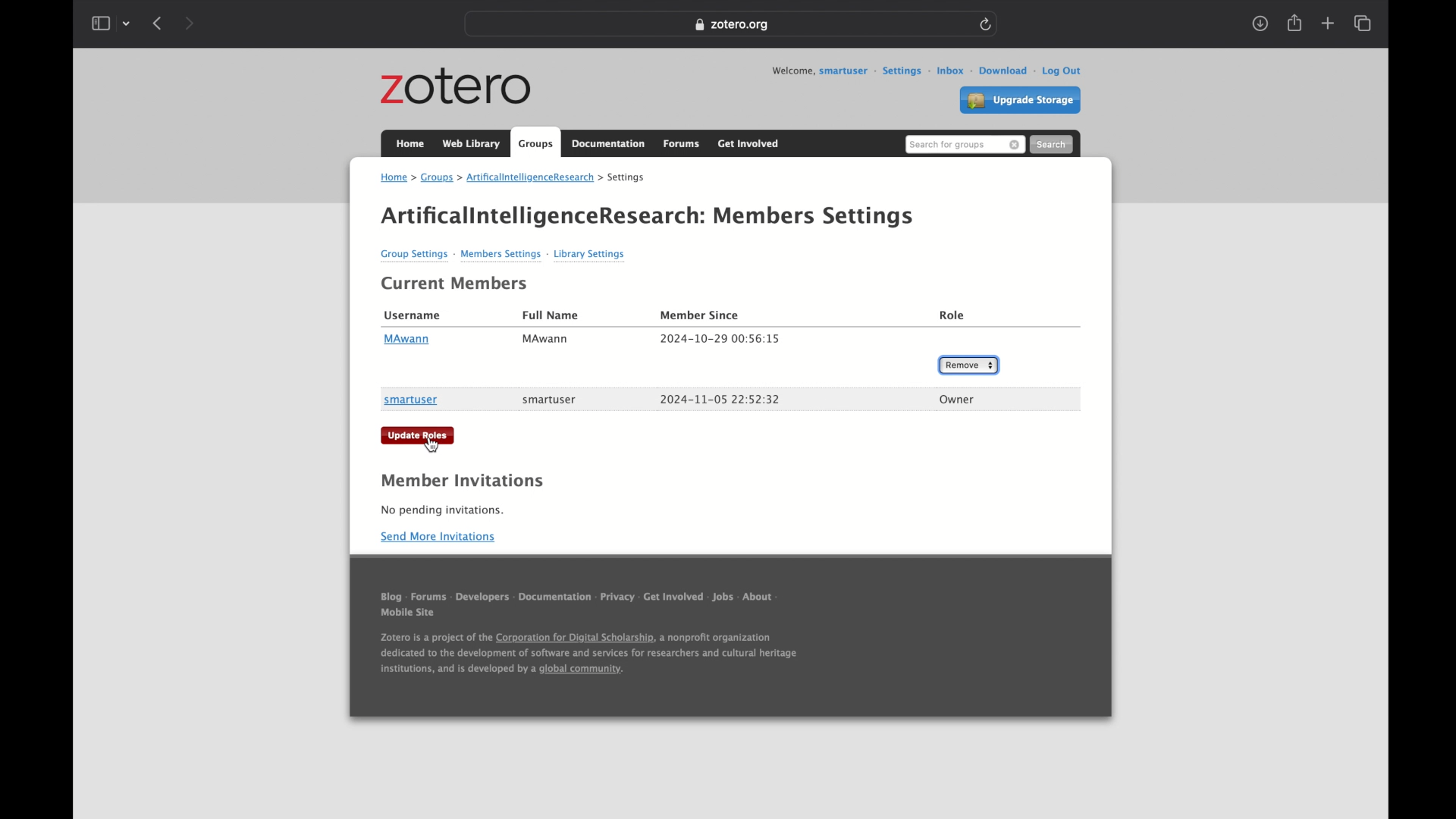 This screenshot has width=1456, height=819. What do you see at coordinates (189, 24) in the screenshot?
I see `forward` at bounding box center [189, 24].